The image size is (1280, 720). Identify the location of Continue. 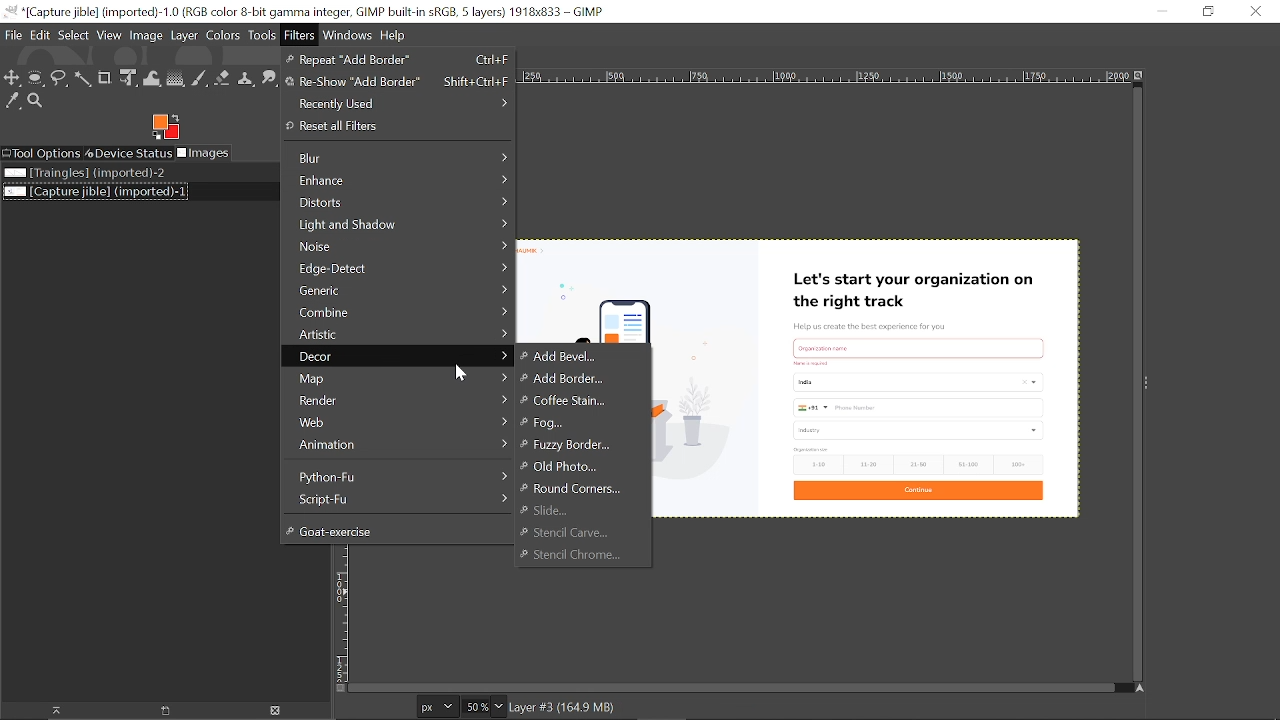
(921, 491).